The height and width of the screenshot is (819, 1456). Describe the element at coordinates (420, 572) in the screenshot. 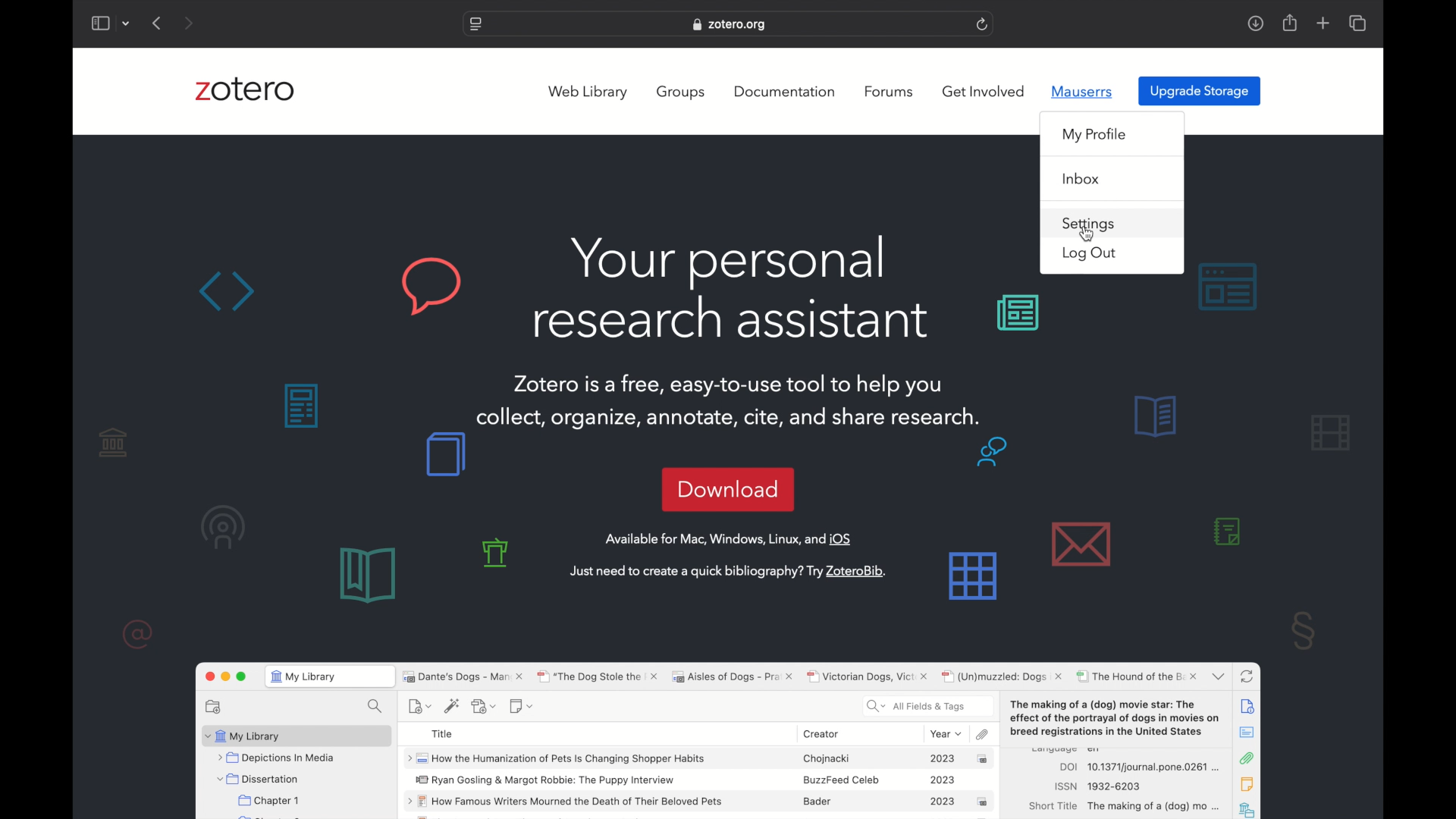

I see `background graphics` at that location.